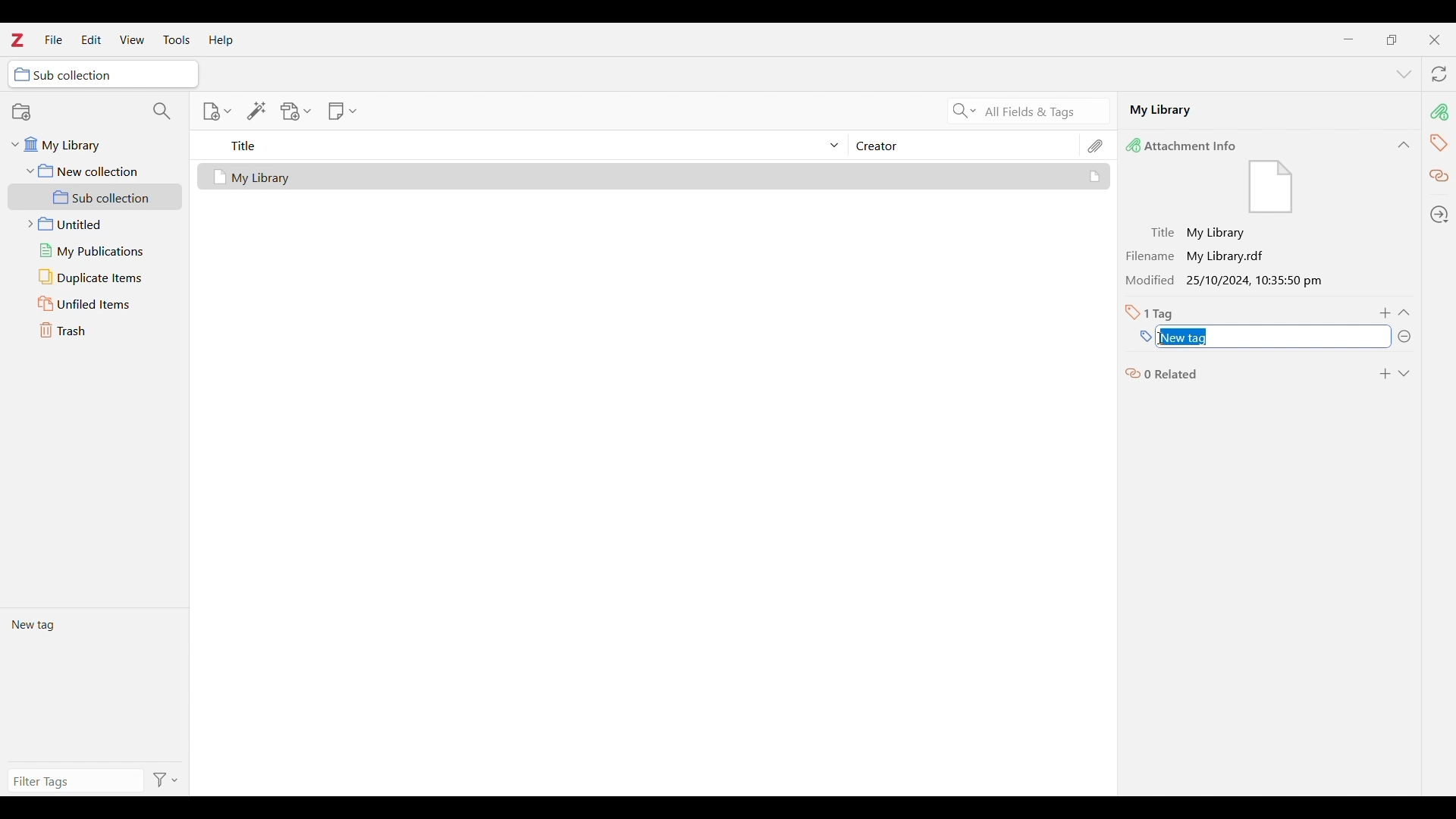 Image resolution: width=1456 pixels, height=819 pixels. Describe the element at coordinates (94, 684) in the screenshot. I see `Current tags` at that location.